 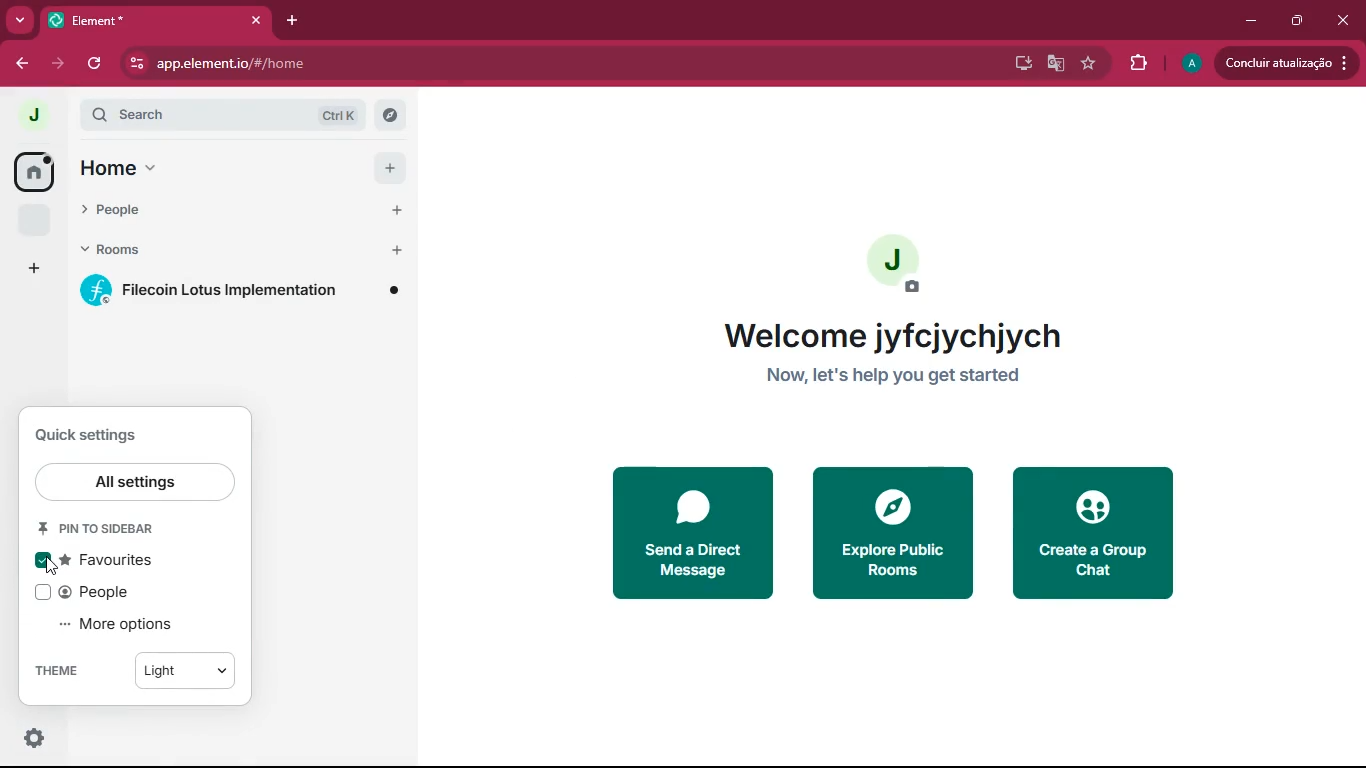 I want to click on people, so click(x=206, y=212).